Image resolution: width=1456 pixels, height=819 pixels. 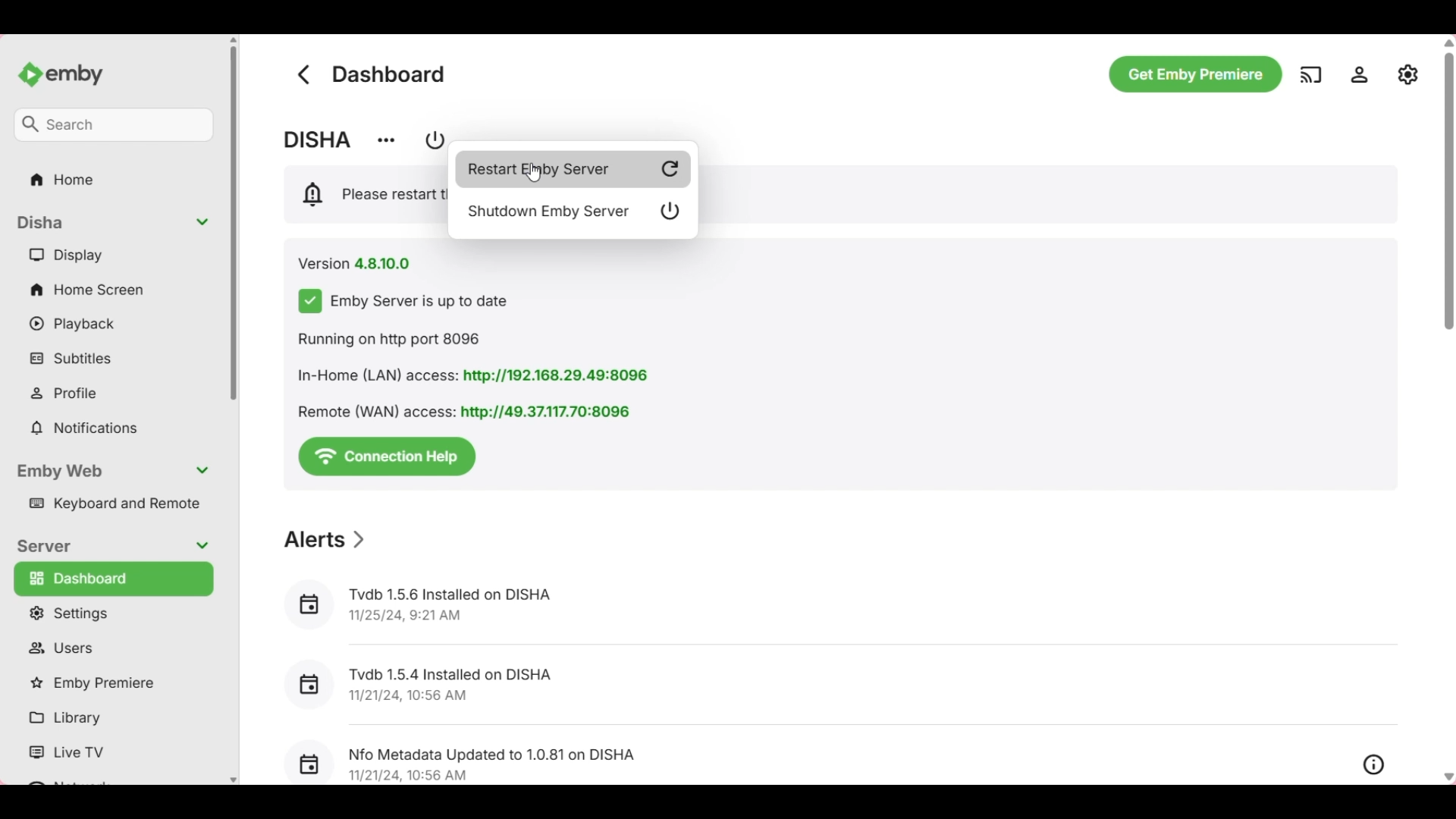 What do you see at coordinates (110, 718) in the screenshot?
I see `Library` at bounding box center [110, 718].